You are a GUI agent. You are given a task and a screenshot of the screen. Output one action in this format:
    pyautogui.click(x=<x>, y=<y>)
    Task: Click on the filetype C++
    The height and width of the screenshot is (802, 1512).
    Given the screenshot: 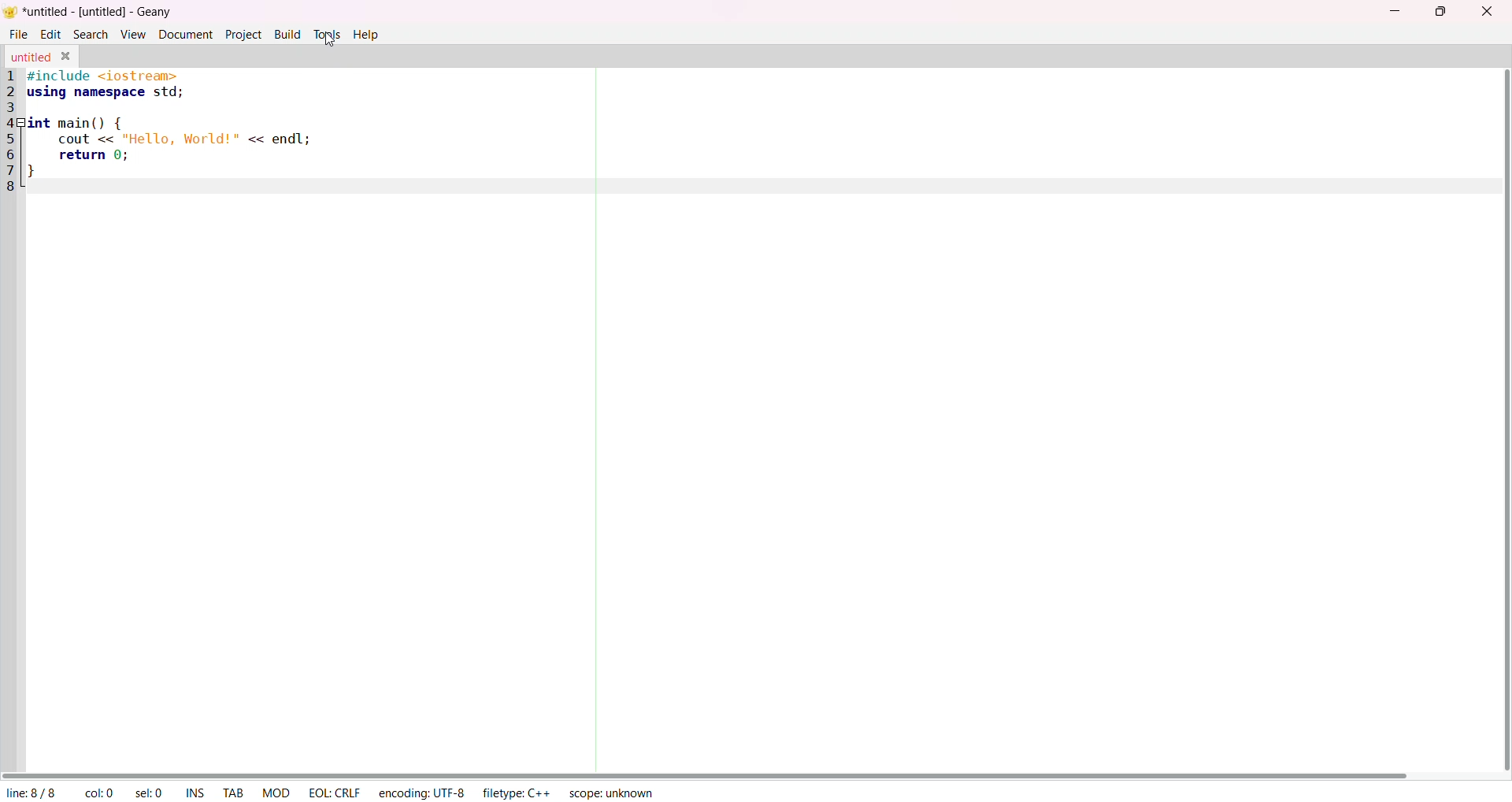 What is the action you would take?
    pyautogui.click(x=516, y=793)
    